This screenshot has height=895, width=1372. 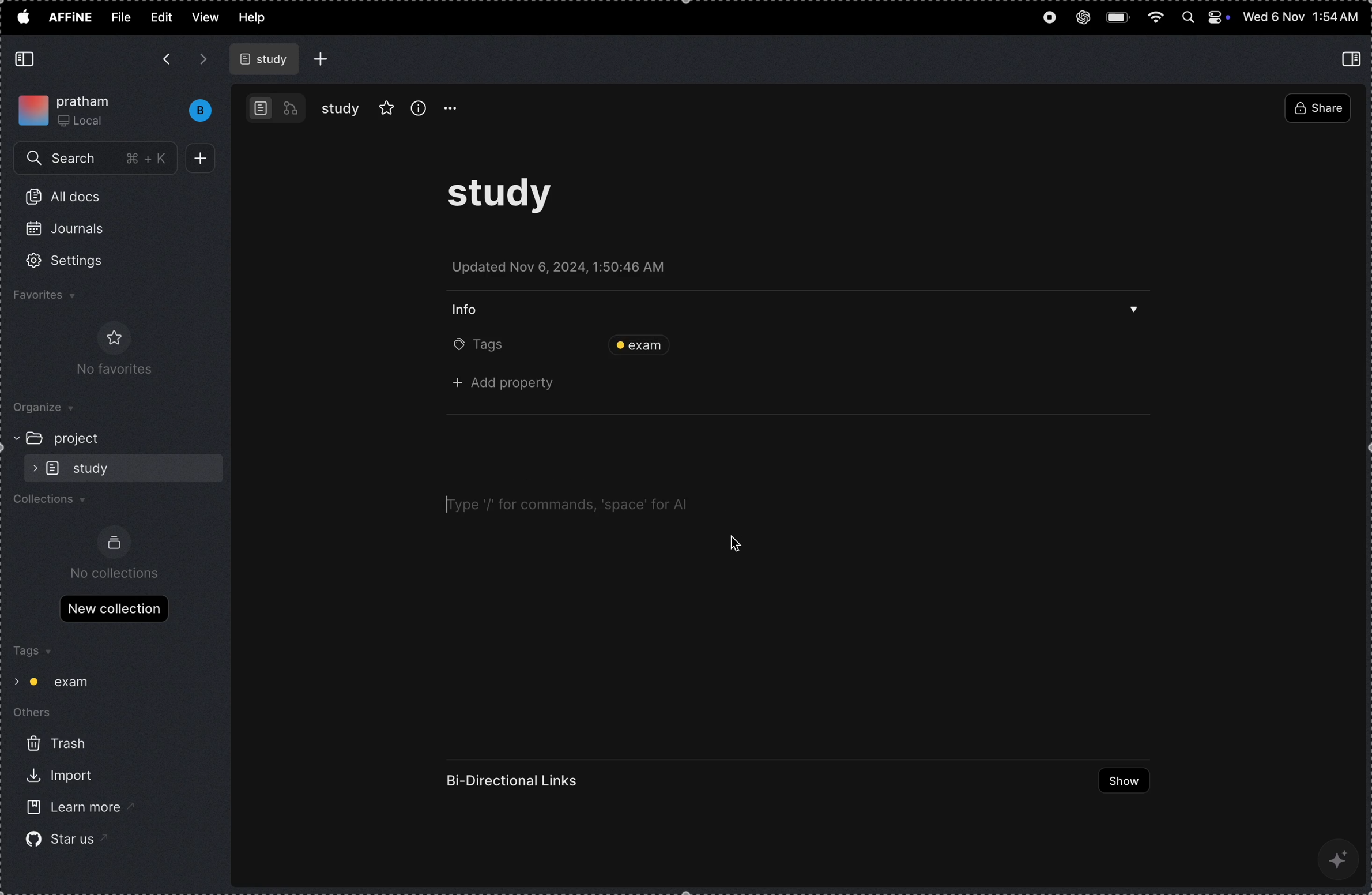 What do you see at coordinates (69, 108) in the screenshot?
I see `my work space` at bounding box center [69, 108].